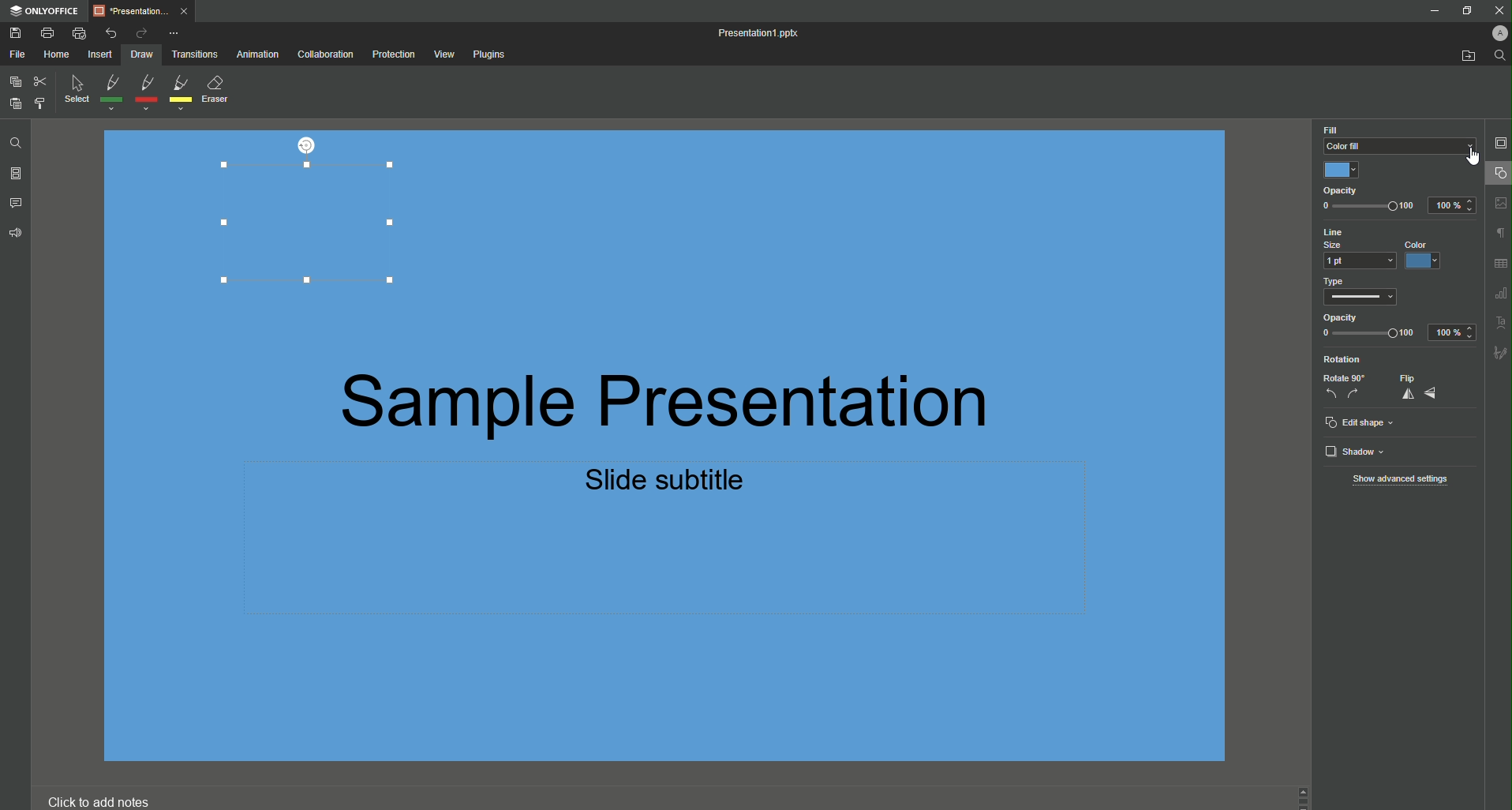 The image size is (1512, 810). What do you see at coordinates (324, 55) in the screenshot?
I see `Collaboration` at bounding box center [324, 55].